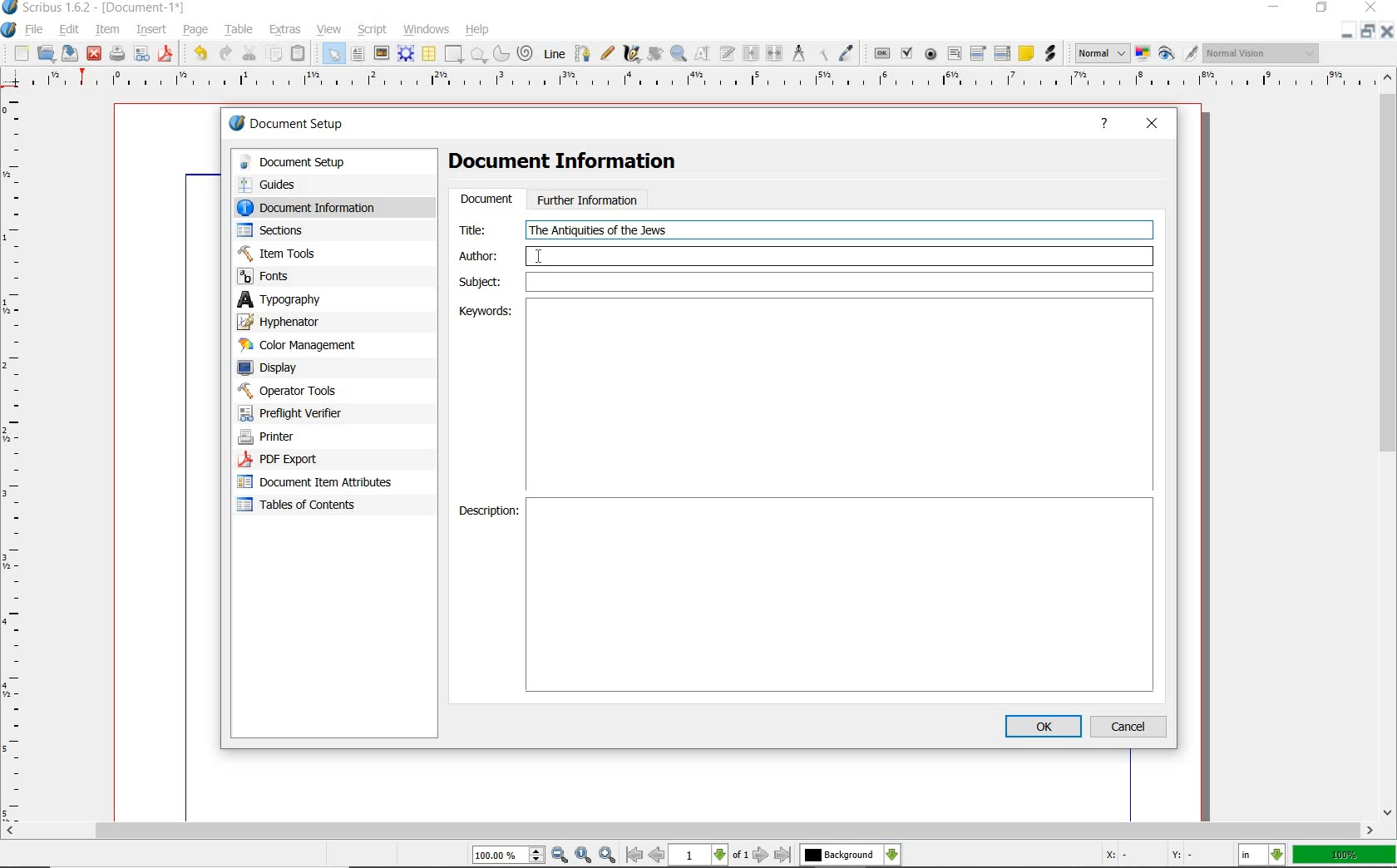 Image resolution: width=1397 pixels, height=868 pixels. Describe the element at coordinates (288, 123) in the screenshot. I see `document setup` at that location.